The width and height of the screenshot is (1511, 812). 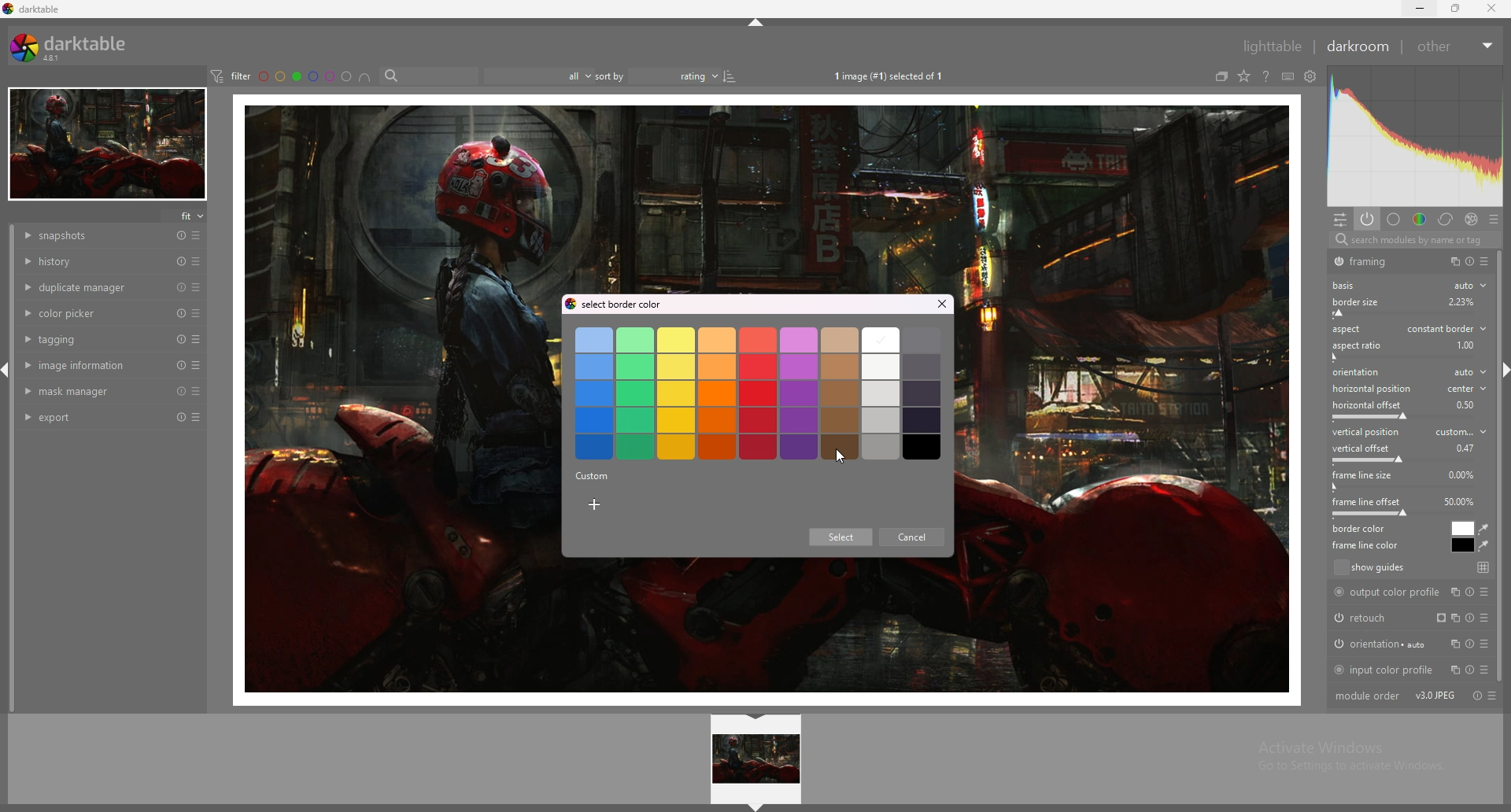 I want to click on reset, so click(x=181, y=391).